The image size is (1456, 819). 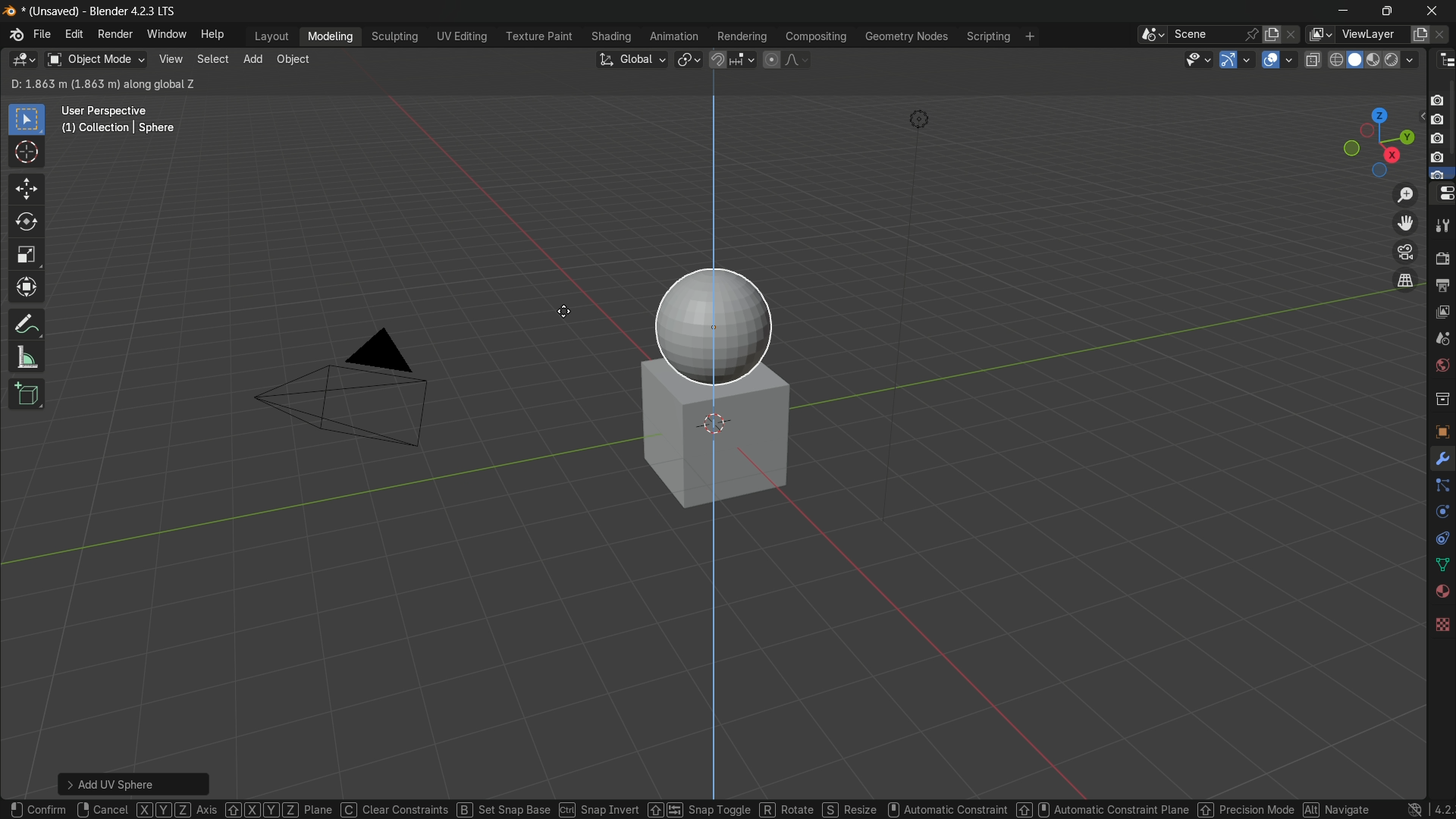 I want to click on sculpting menu, so click(x=395, y=36).